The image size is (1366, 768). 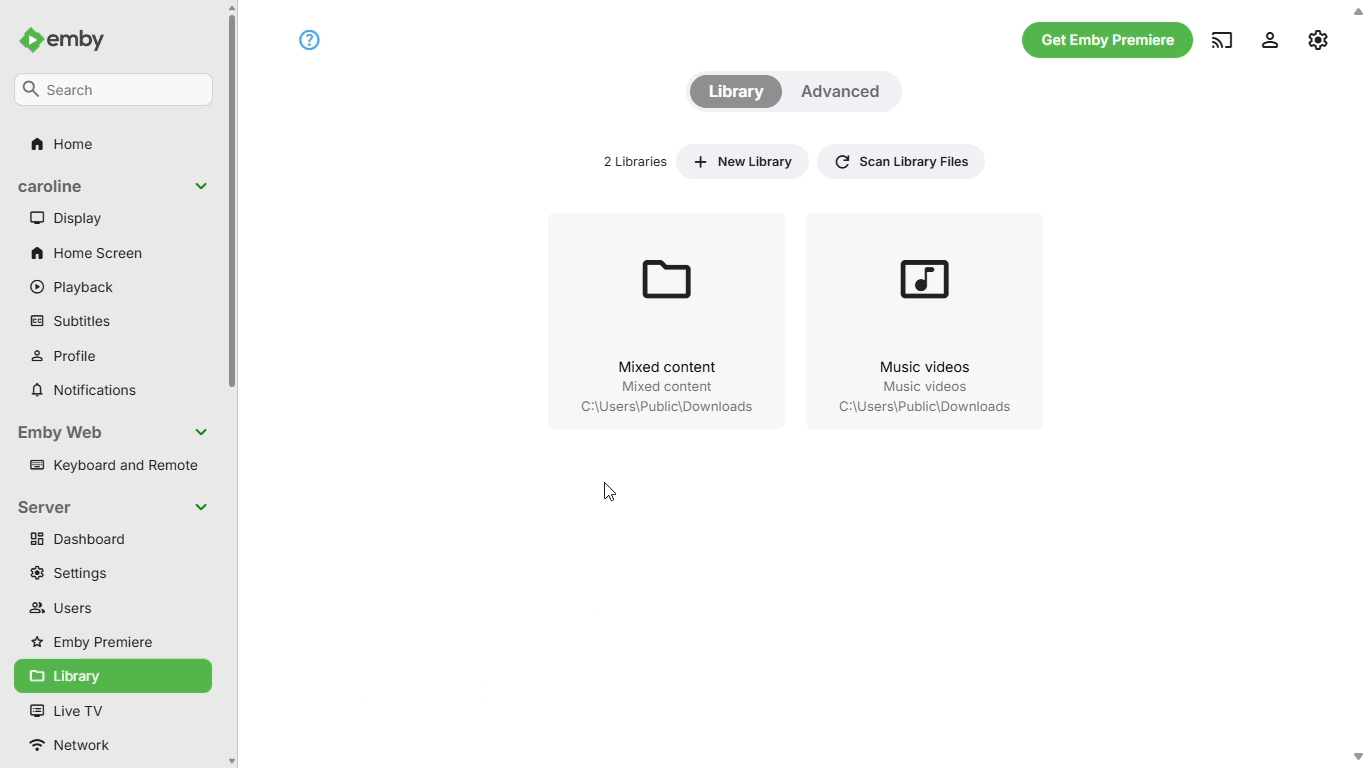 What do you see at coordinates (902, 161) in the screenshot?
I see `scan library files` at bounding box center [902, 161].